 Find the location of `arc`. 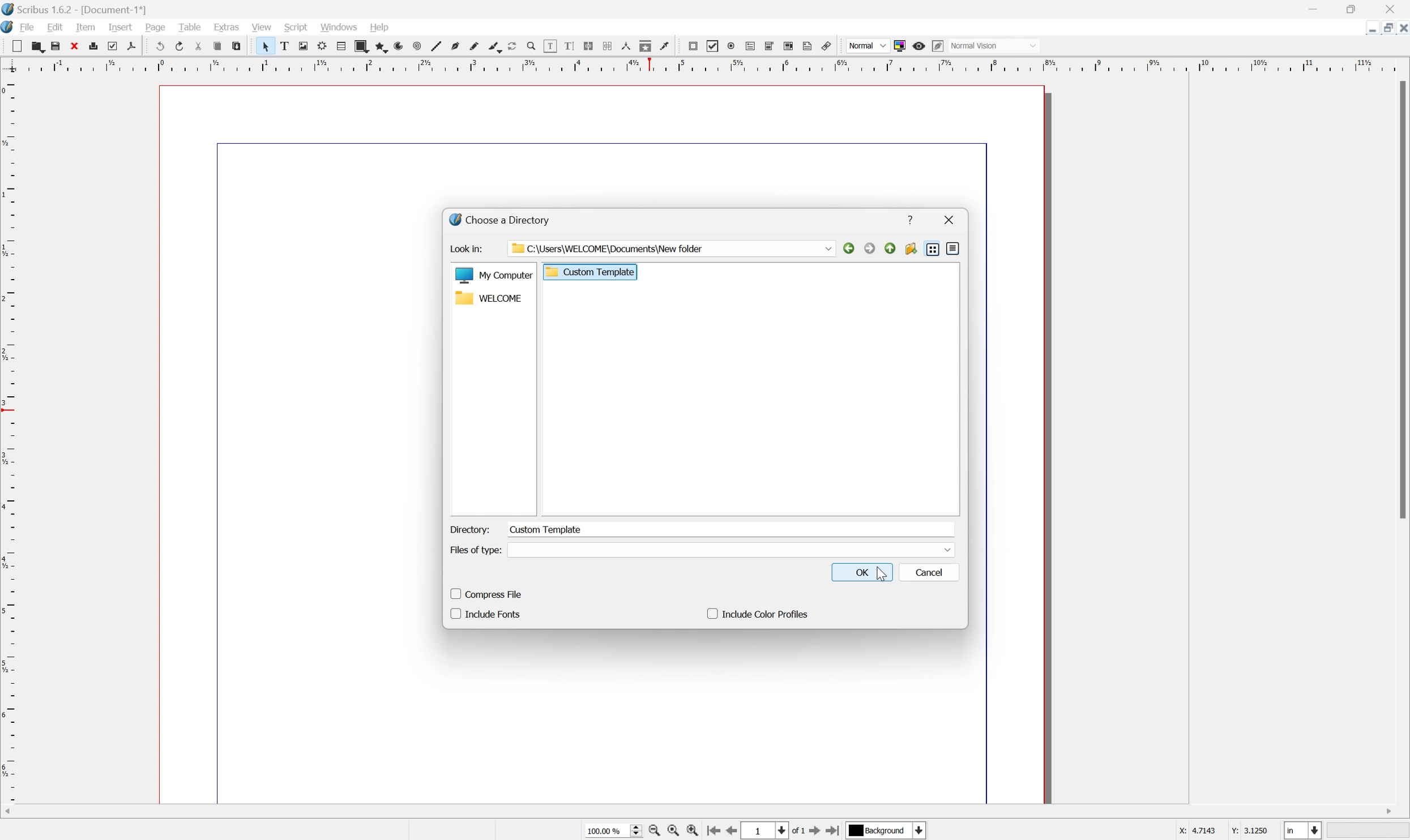

arc is located at coordinates (395, 45).